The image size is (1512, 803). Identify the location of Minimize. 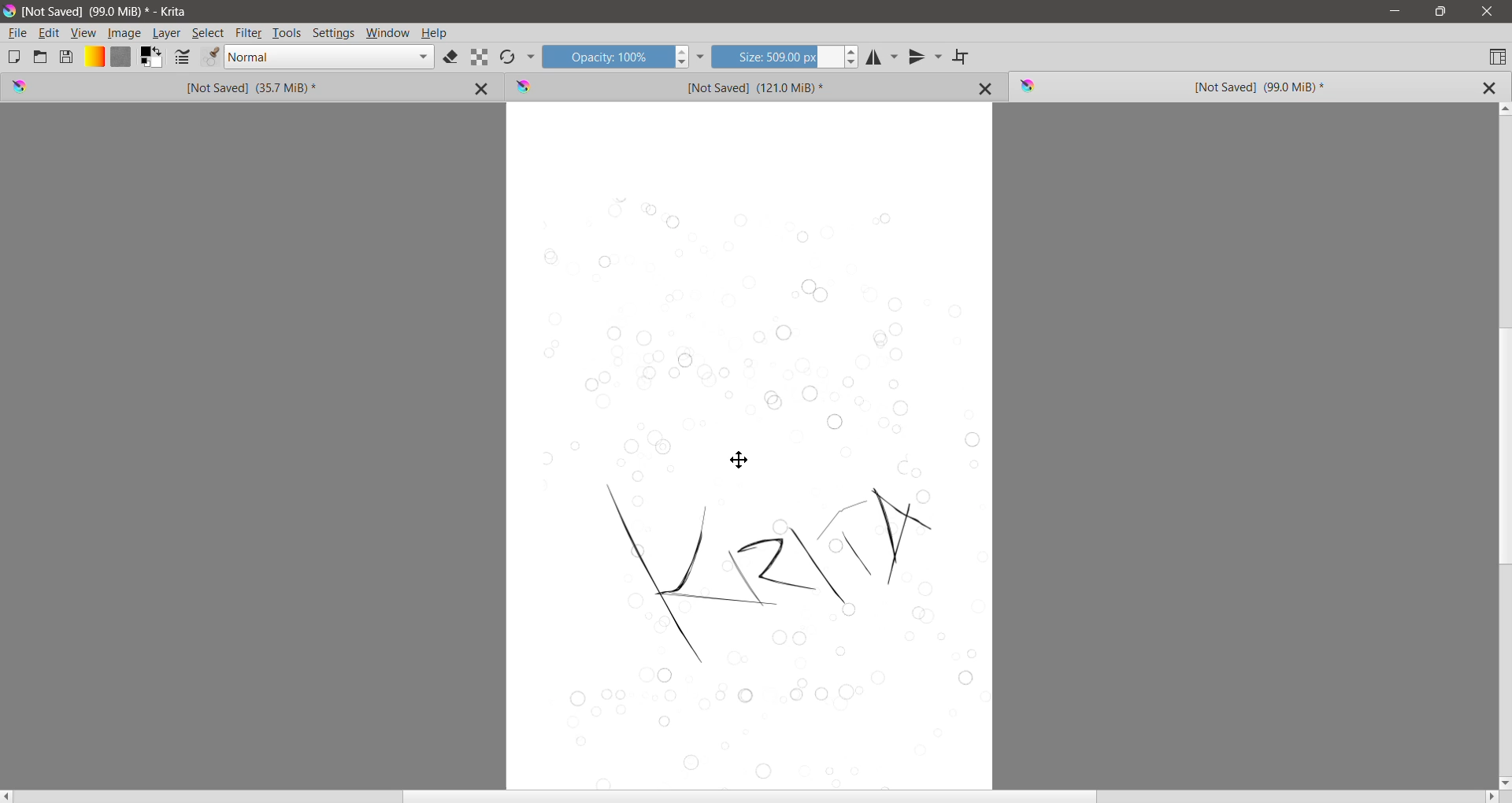
(1395, 11).